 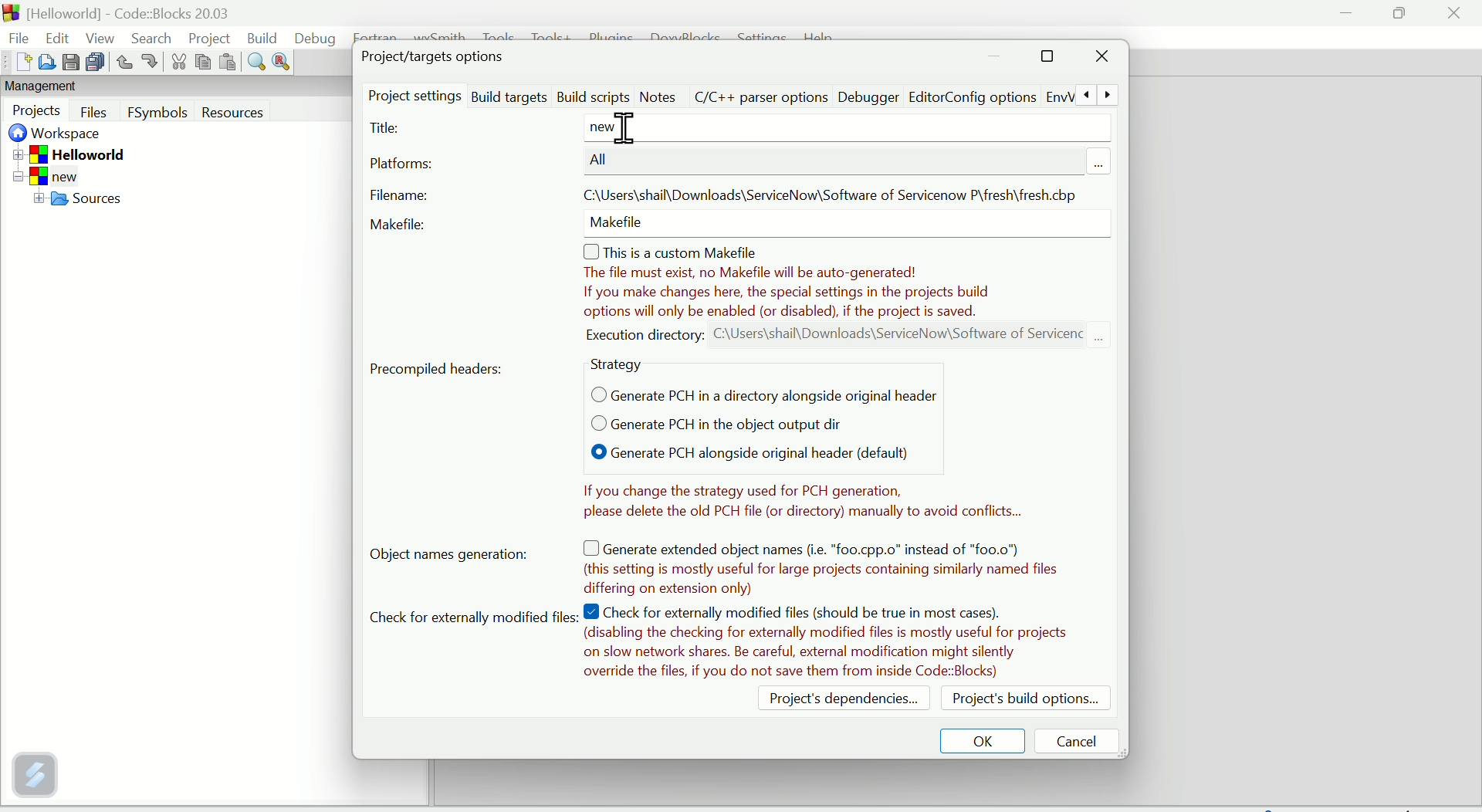 I want to click on , so click(x=123, y=62).